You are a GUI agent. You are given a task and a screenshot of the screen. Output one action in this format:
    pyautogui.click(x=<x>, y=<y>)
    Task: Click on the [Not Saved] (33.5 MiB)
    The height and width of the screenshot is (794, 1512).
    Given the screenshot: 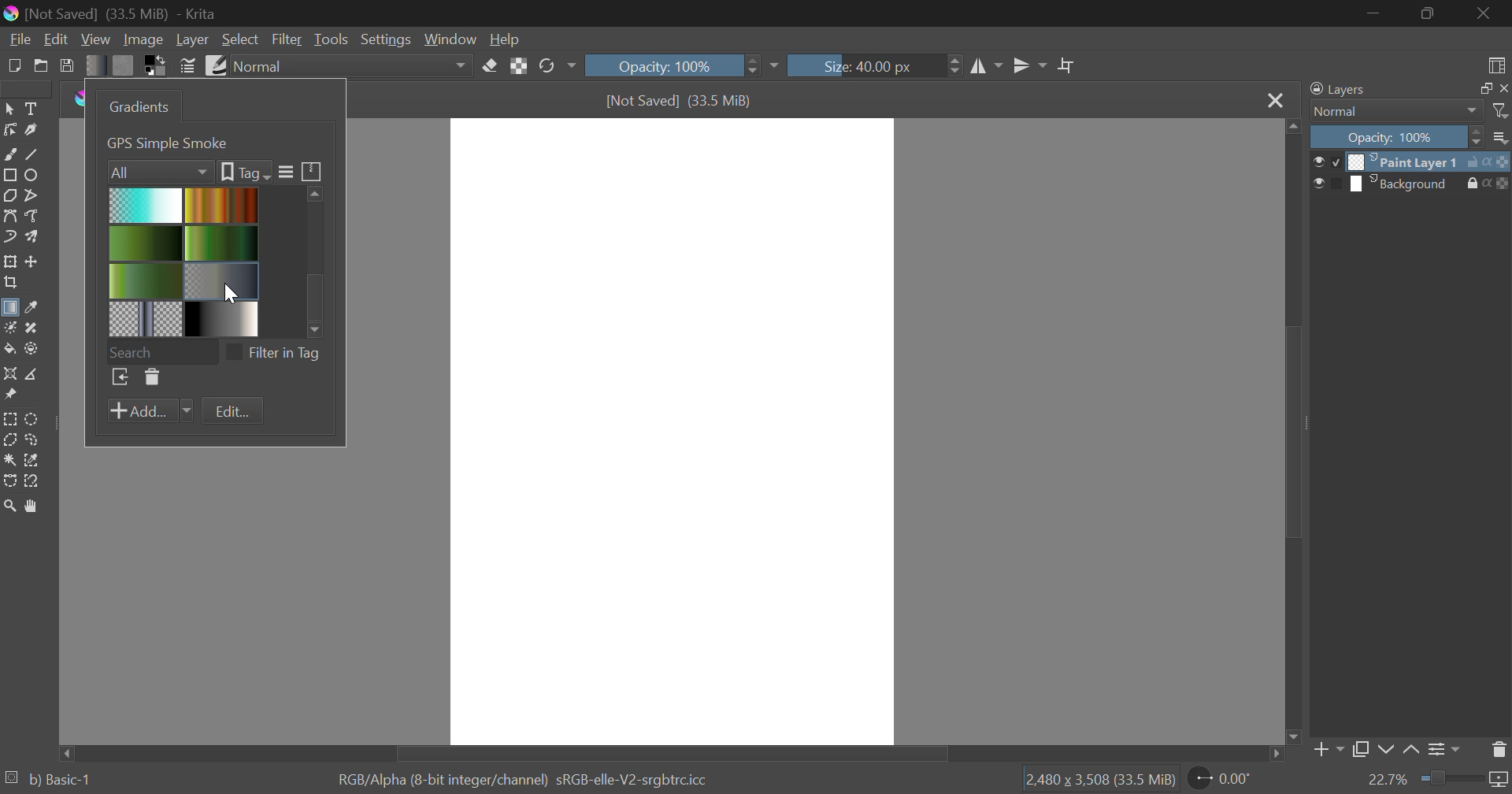 What is the action you would take?
    pyautogui.click(x=680, y=101)
    